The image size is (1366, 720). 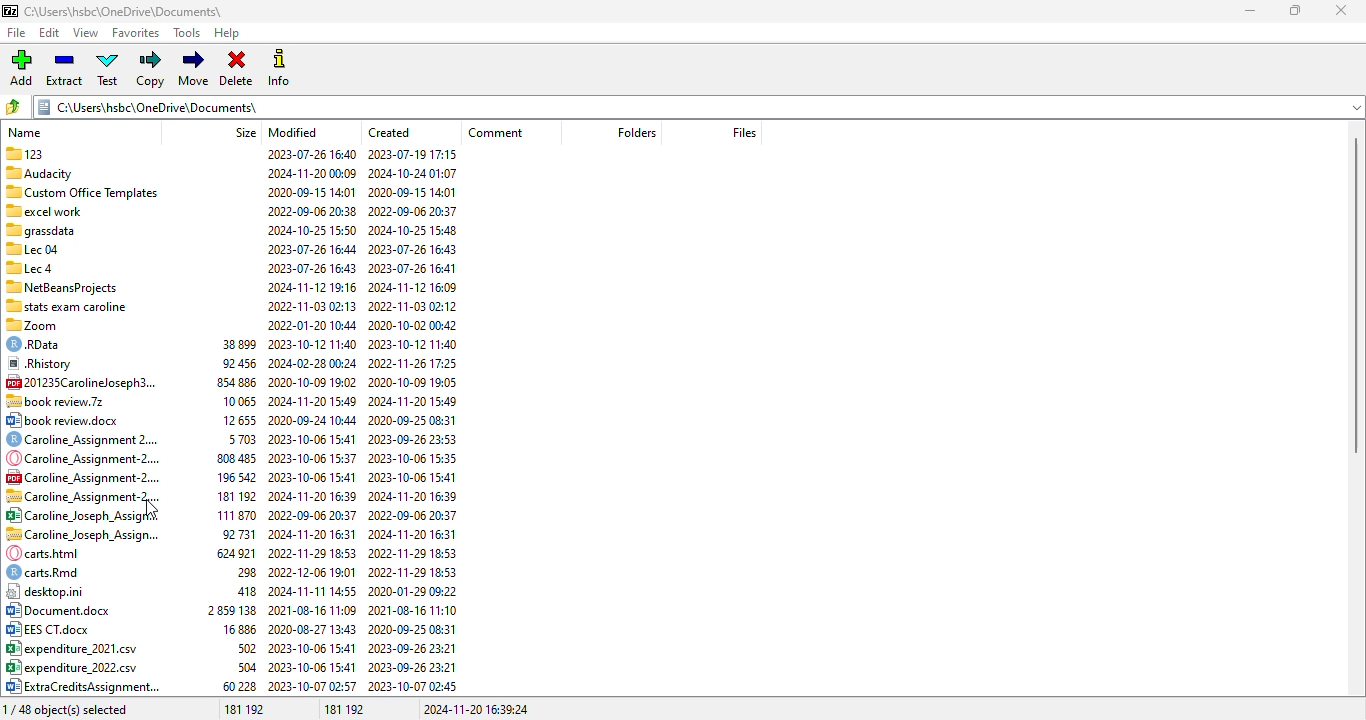 I want to click on && Caroline Assignment-2.... 196542 2023-10-06 15:41 2023-10-06 15:41, so click(x=232, y=477).